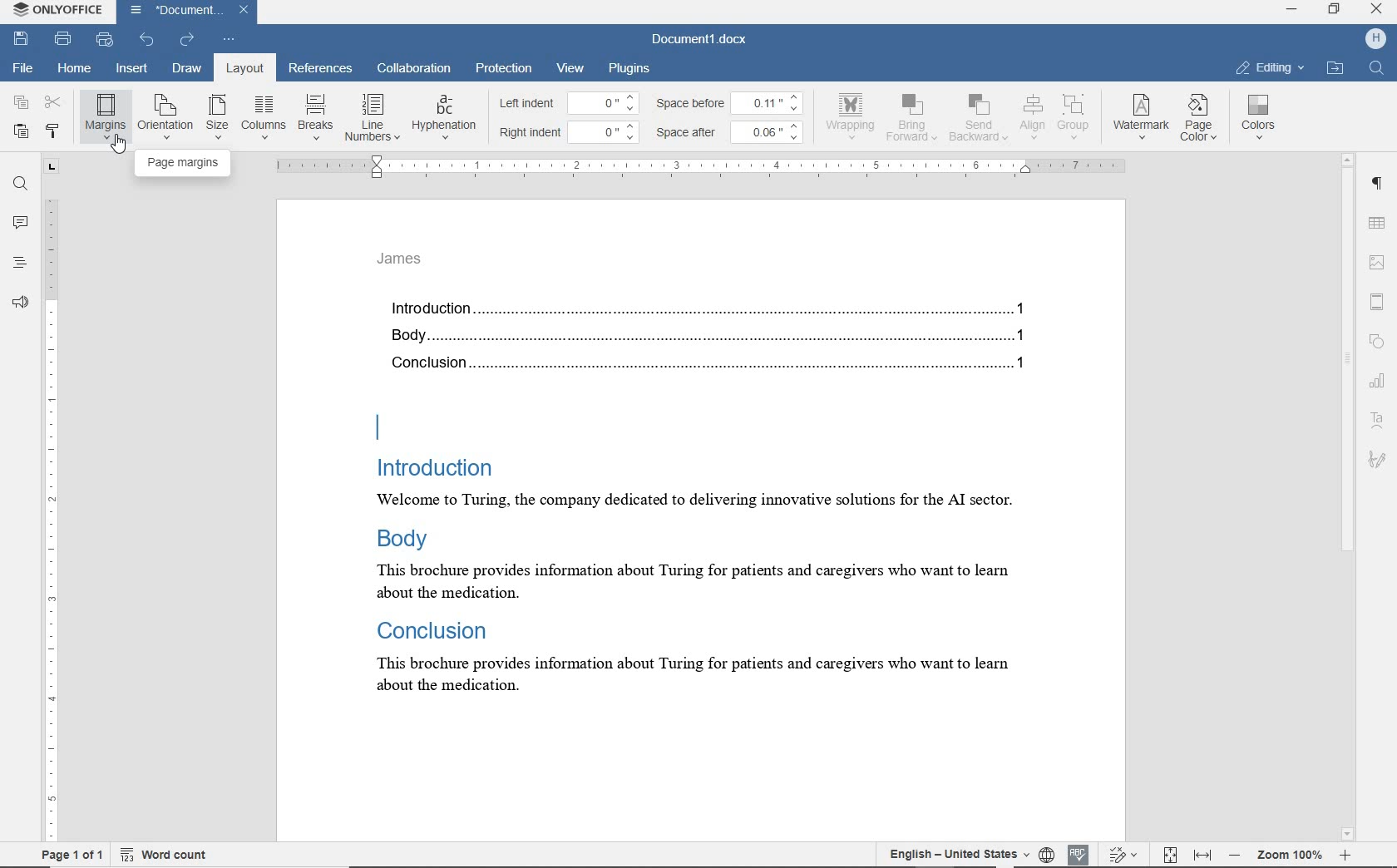 The width and height of the screenshot is (1397, 868). What do you see at coordinates (21, 186) in the screenshot?
I see `find` at bounding box center [21, 186].